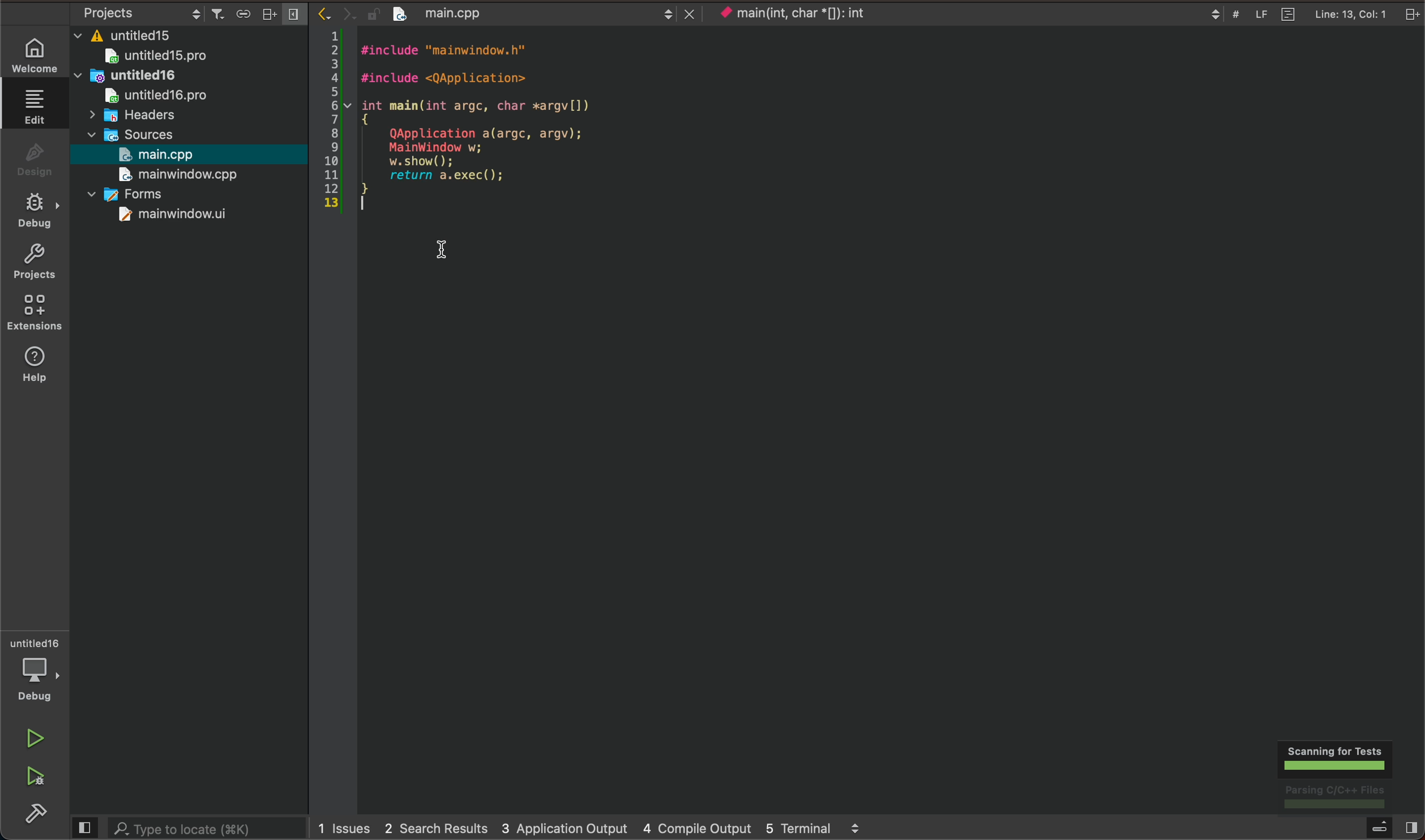 Image resolution: width=1425 pixels, height=840 pixels. I want to click on current context, so click(808, 18).